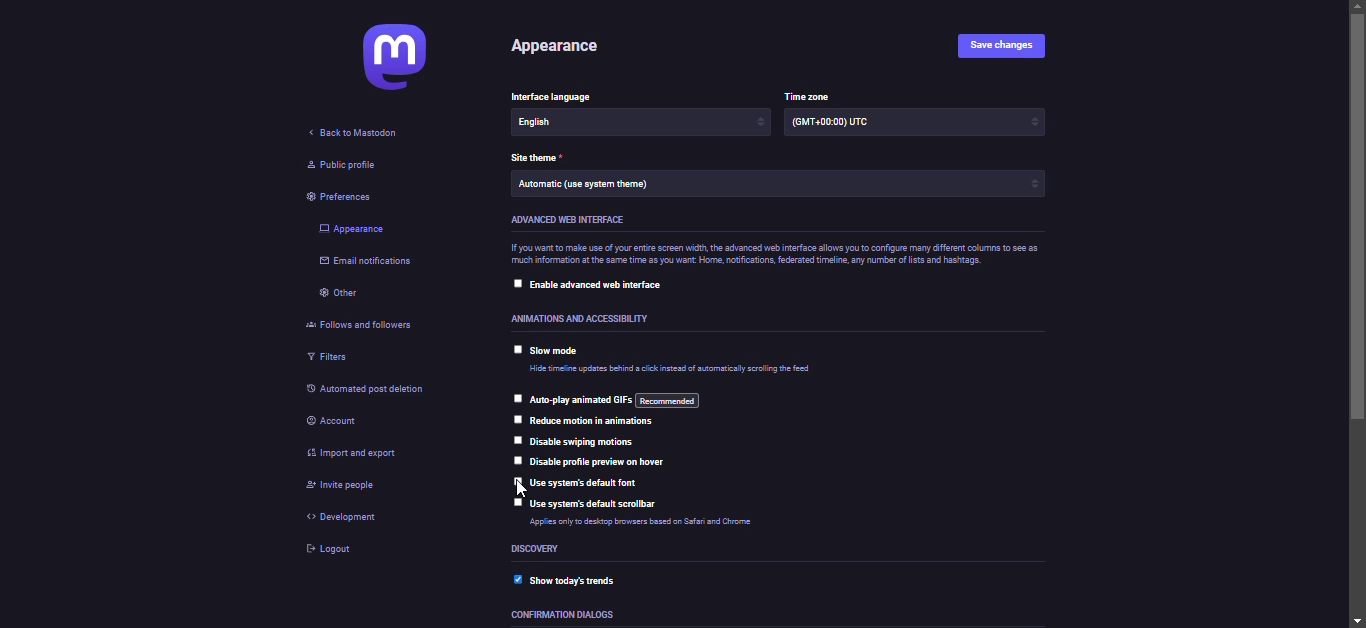  I want to click on invite people, so click(339, 489).